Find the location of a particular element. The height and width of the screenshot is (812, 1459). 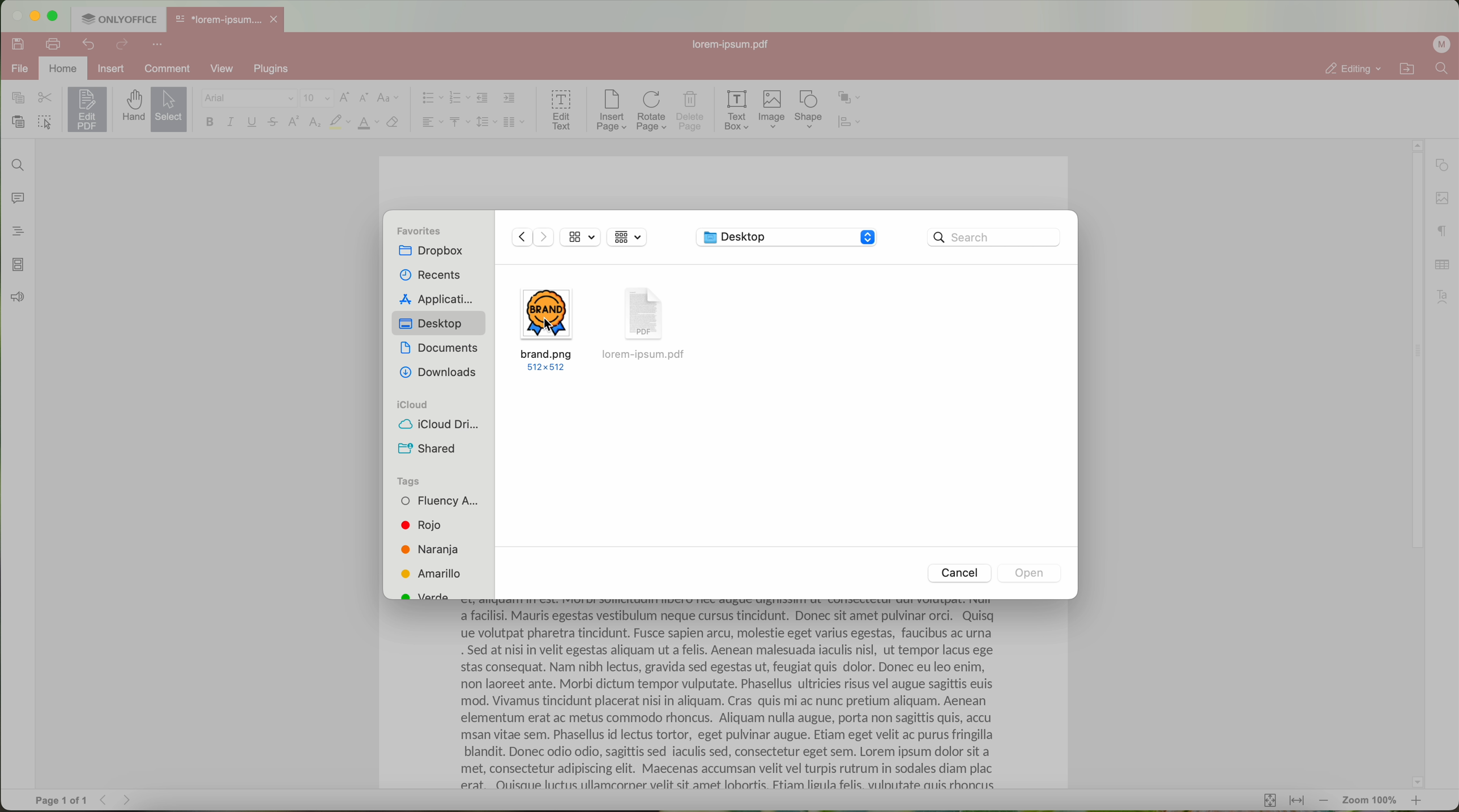

arrange shape is located at coordinates (850, 98).